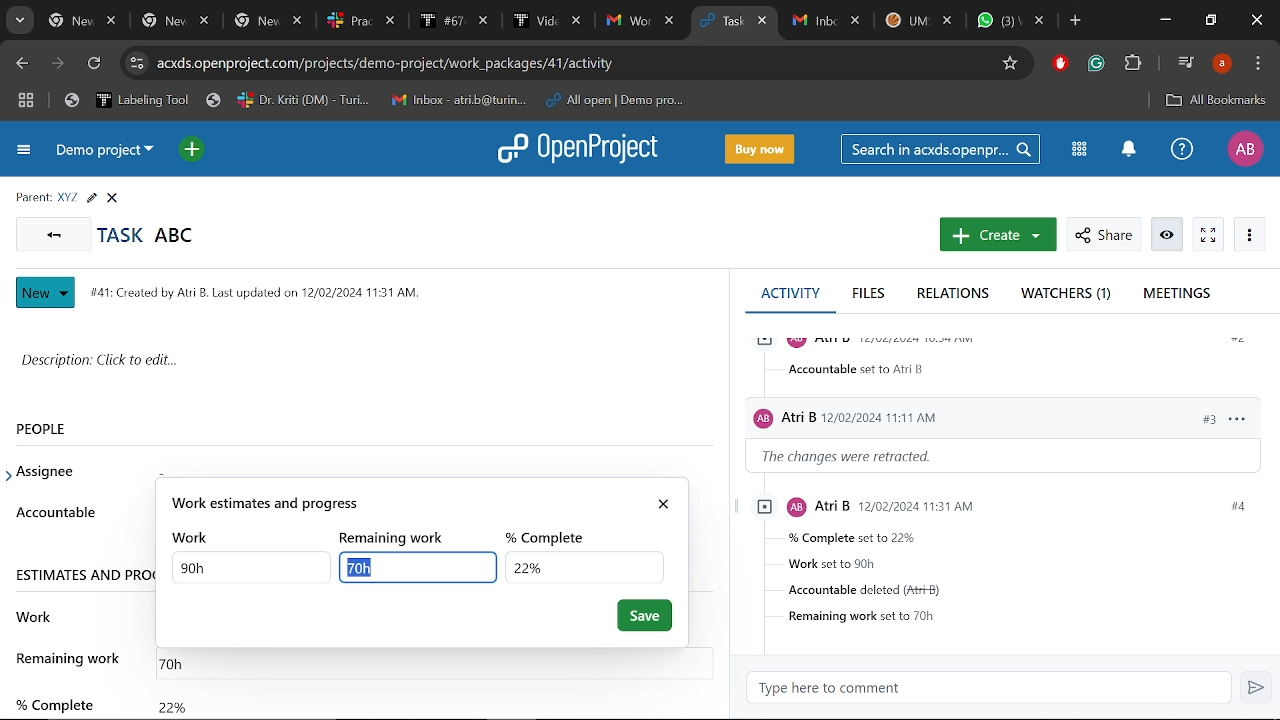  Describe the element at coordinates (1102, 235) in the screenshot. I see `Share` at that location.